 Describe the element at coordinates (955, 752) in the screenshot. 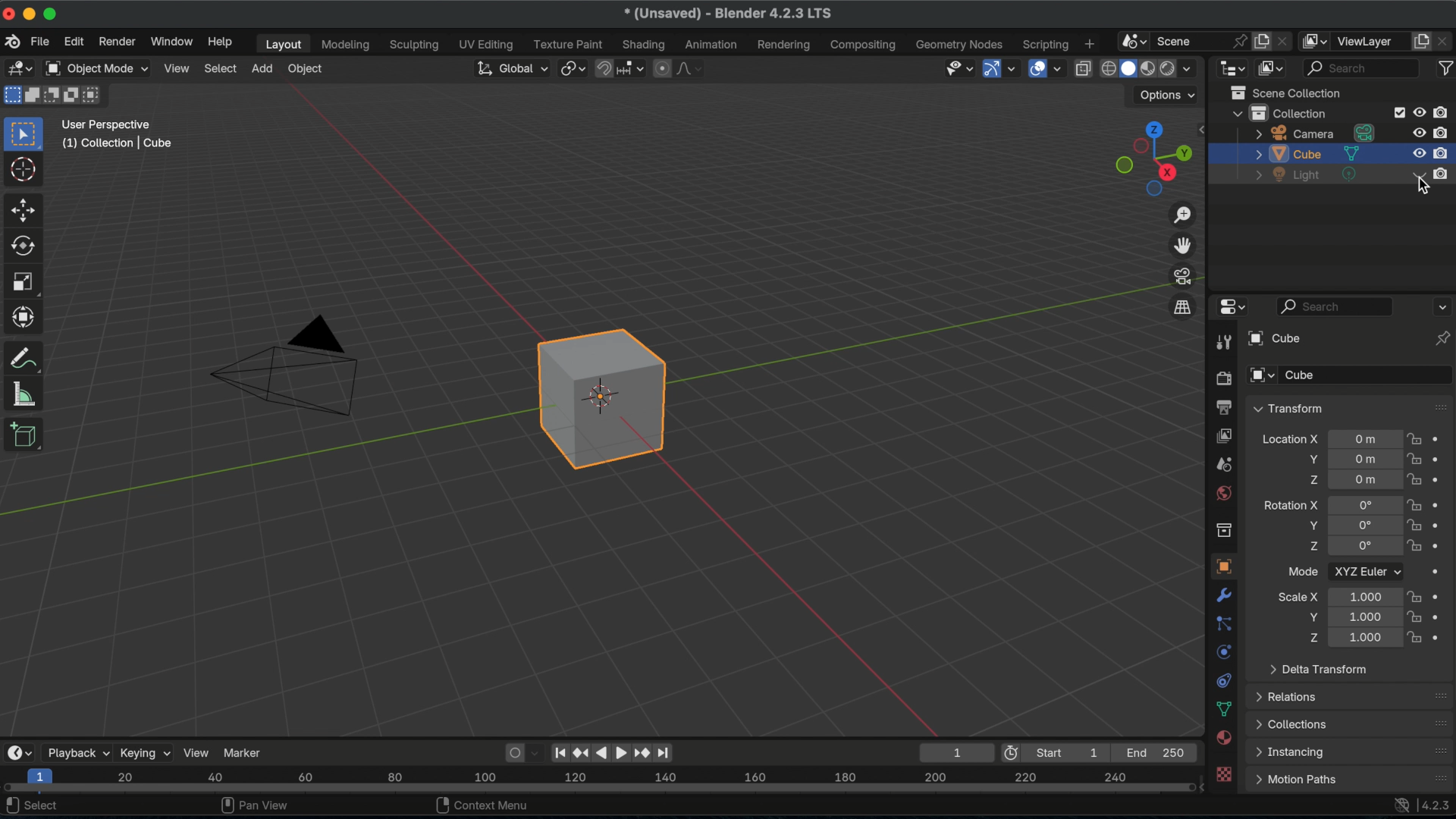

I see `1` at that location.